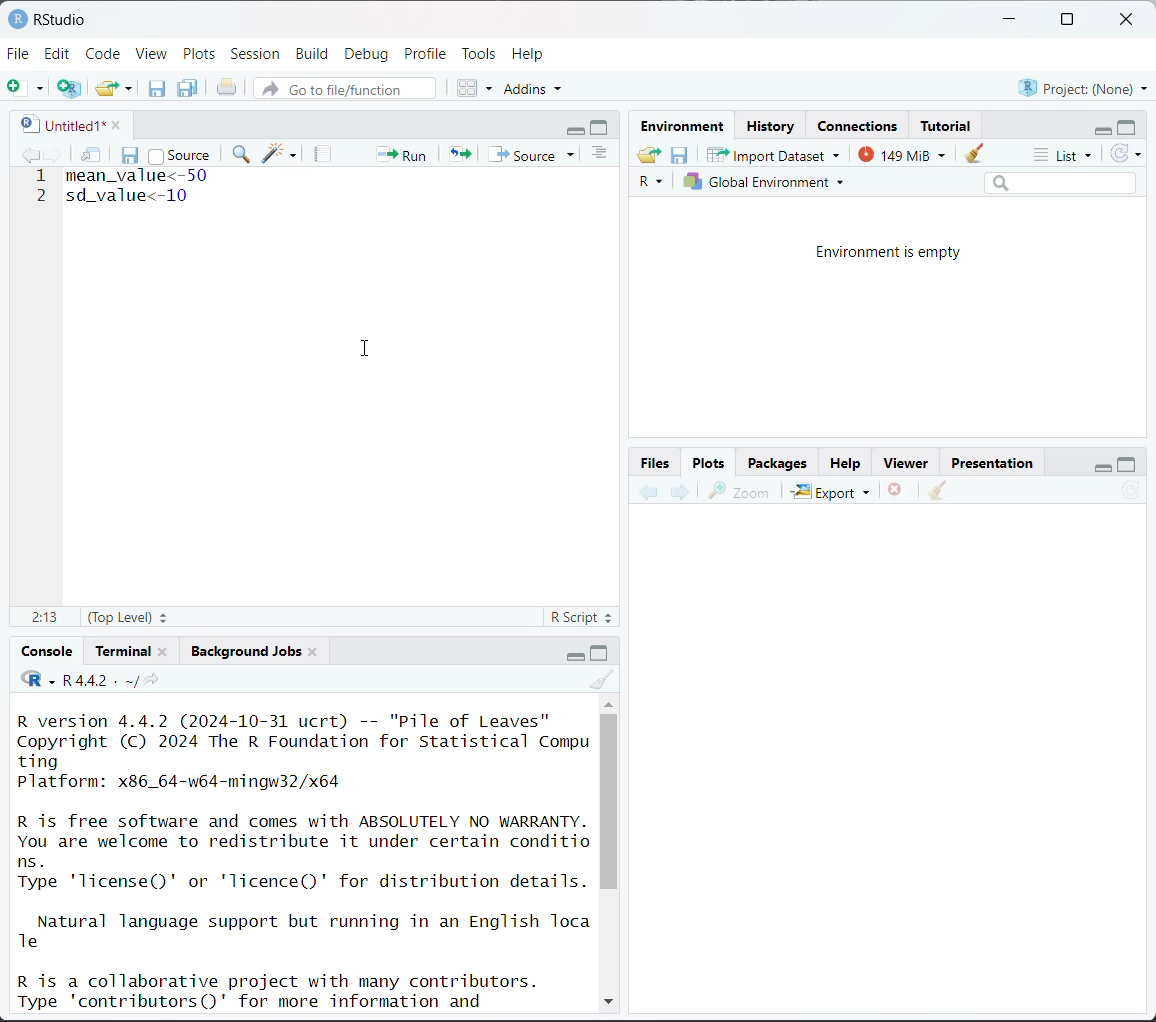 The height and width of the screenshot is (1022, 1156). What do you see at coordinates (179, 154) in the screenshot?
I see `source` at bounding box center [179, 154].